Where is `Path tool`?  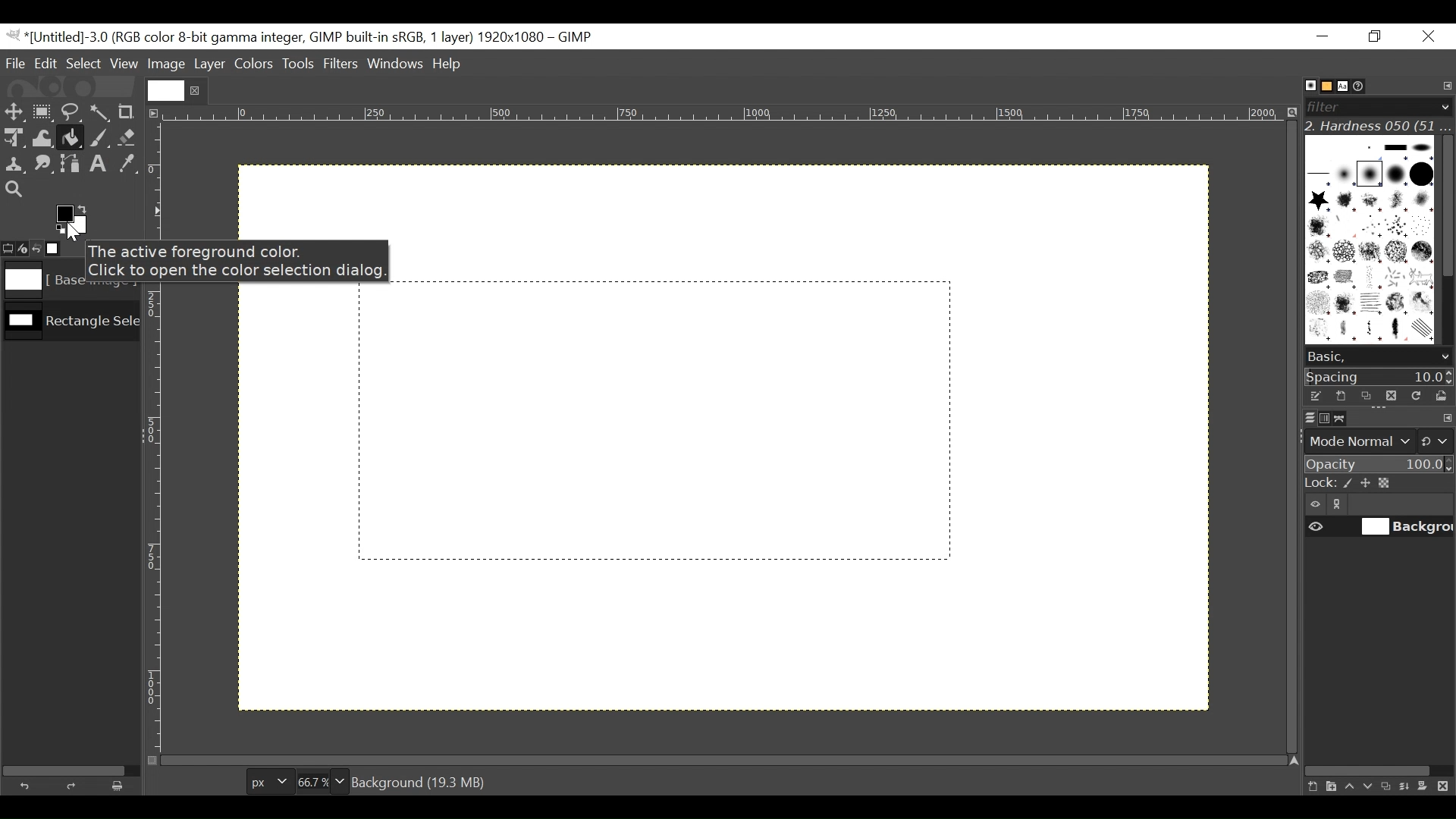 Path tool is located at coordinates (72, 164).